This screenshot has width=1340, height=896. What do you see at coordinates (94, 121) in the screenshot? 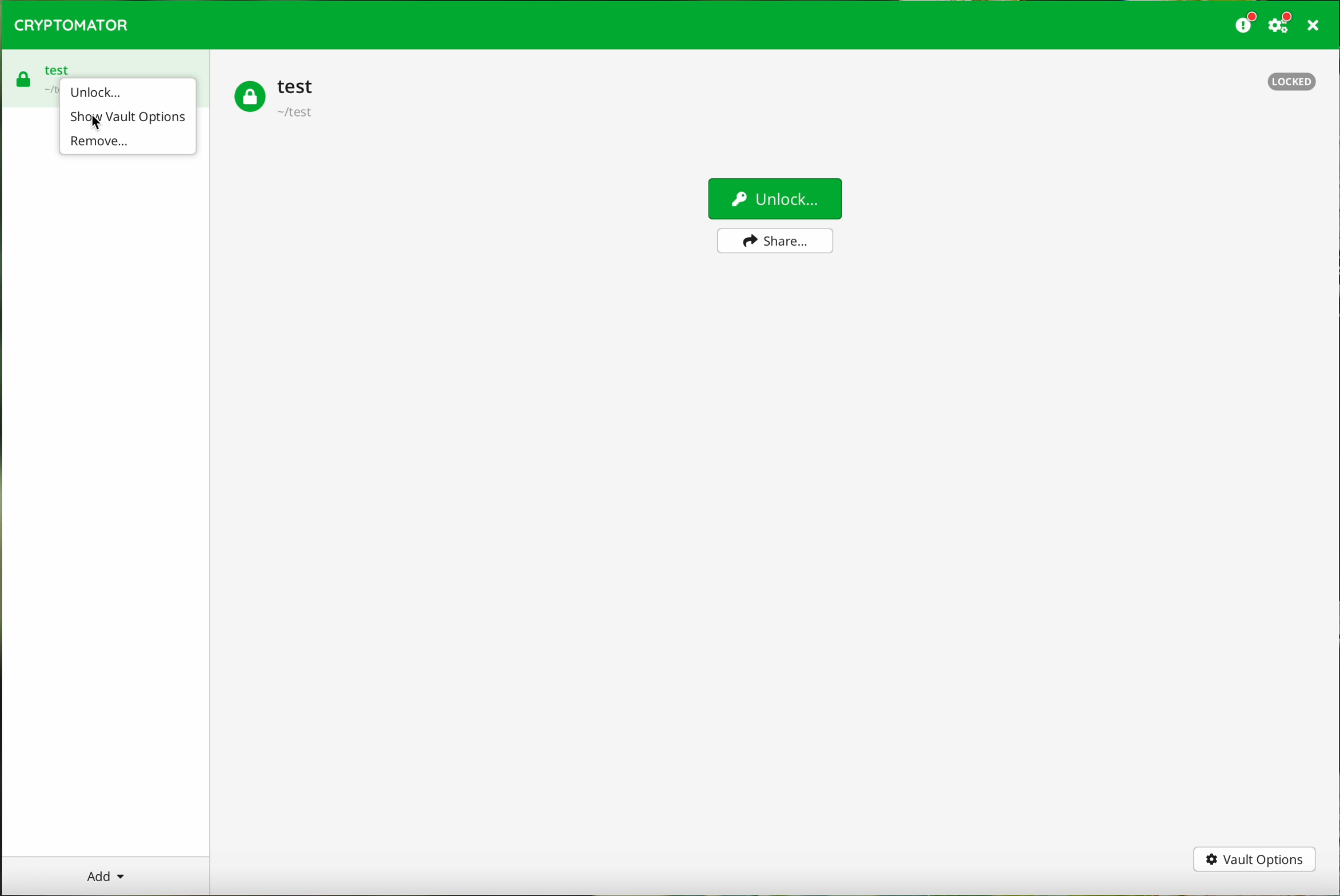
I see `cursor` at bounding box center [94, 121].